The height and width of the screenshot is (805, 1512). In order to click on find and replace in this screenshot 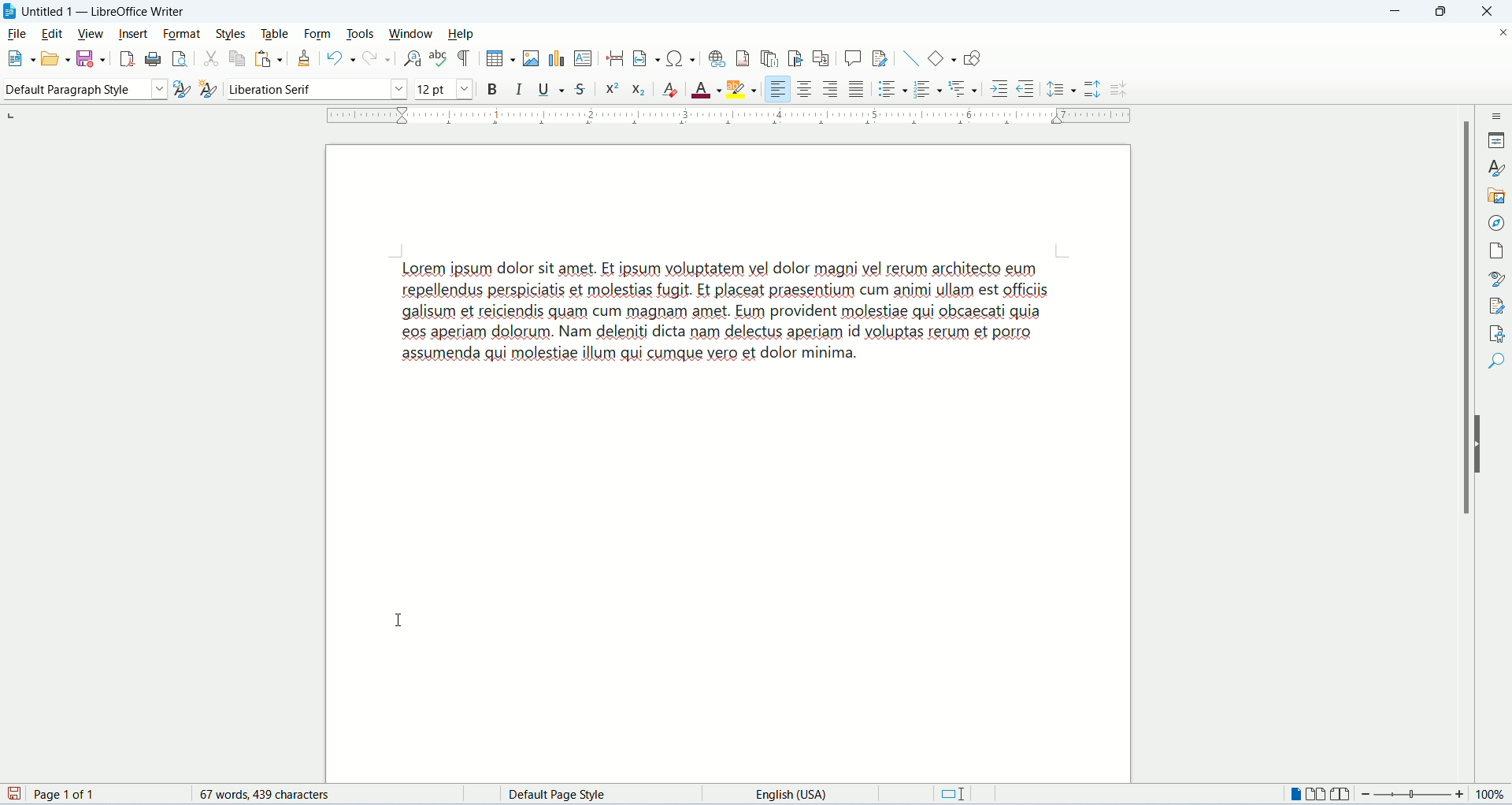, I will do `click(411, 59)`.